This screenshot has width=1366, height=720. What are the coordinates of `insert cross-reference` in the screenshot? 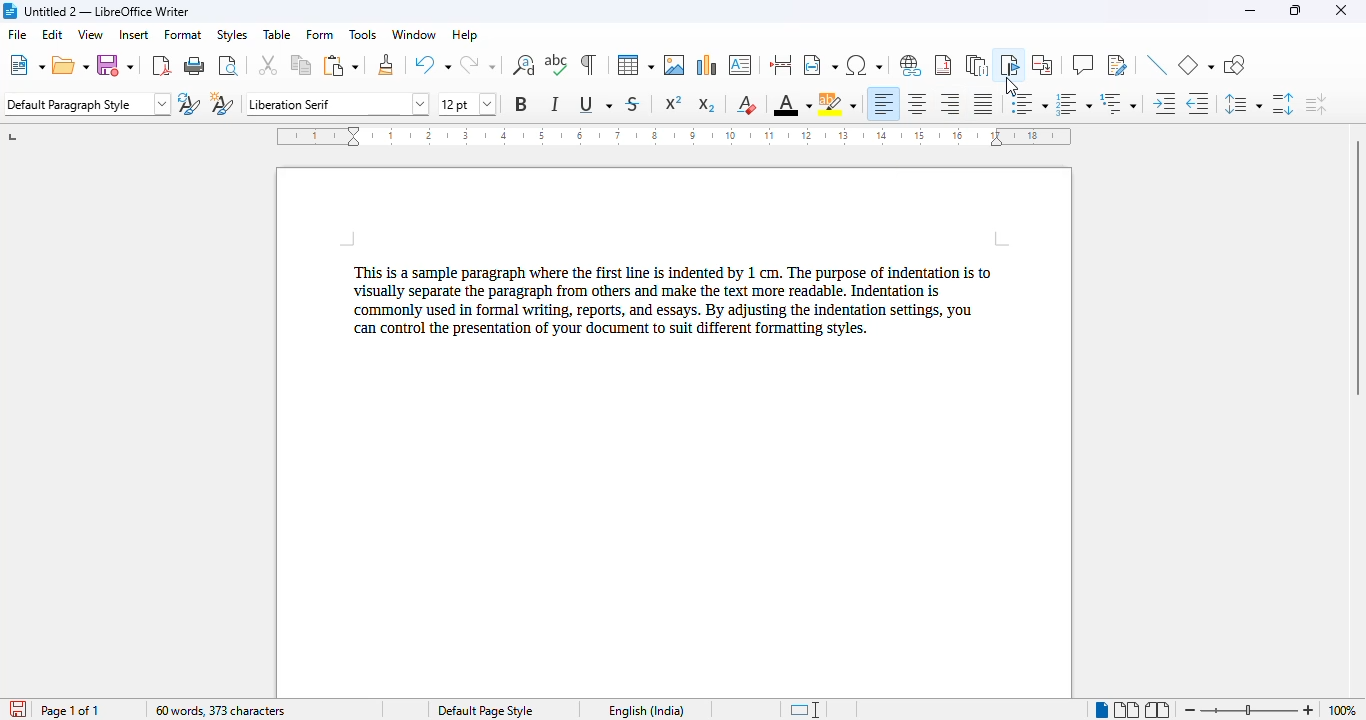 It's located at (1043, 65).